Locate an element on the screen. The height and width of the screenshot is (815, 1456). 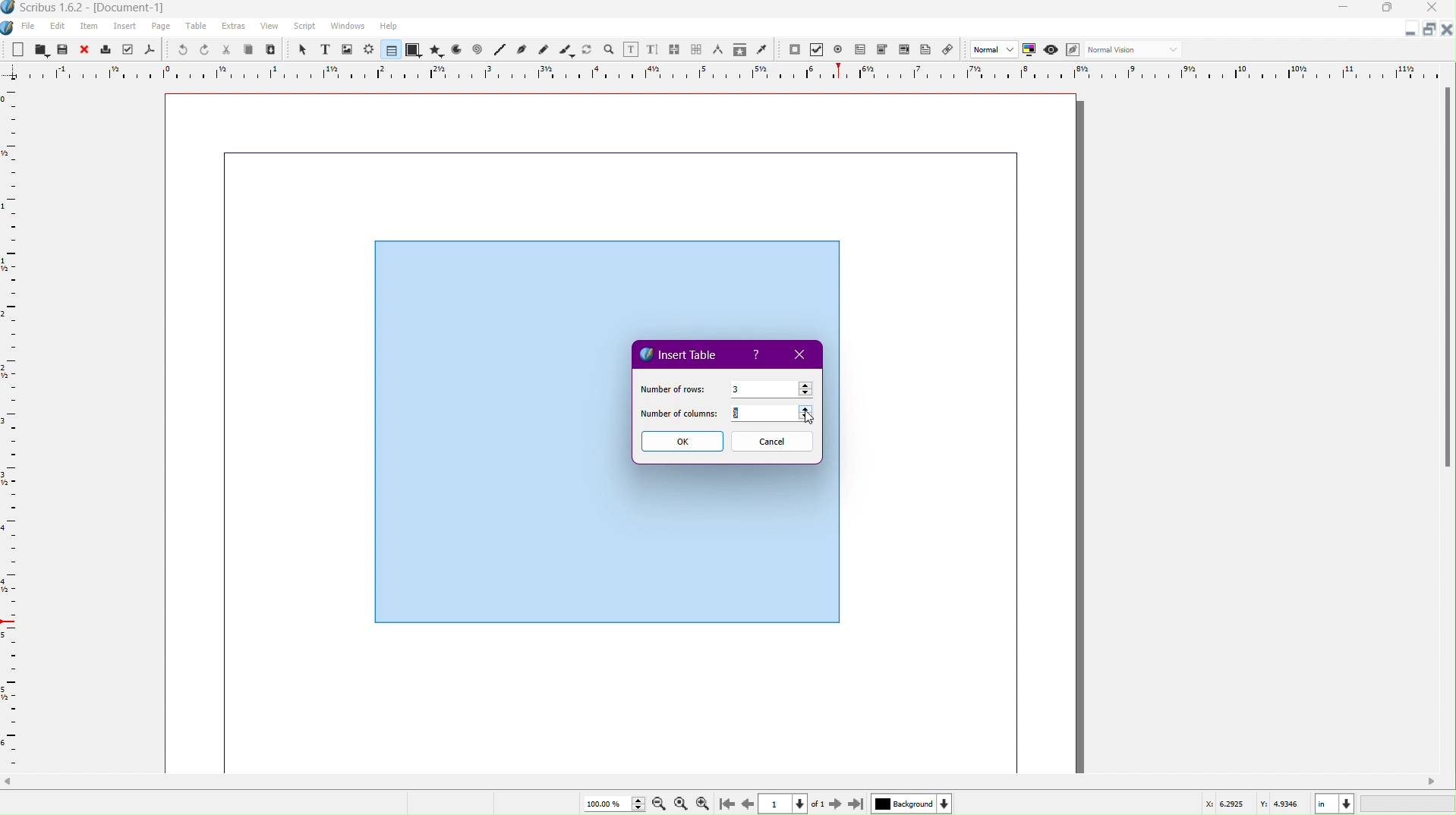
Print is located at coordinates (106, 49).